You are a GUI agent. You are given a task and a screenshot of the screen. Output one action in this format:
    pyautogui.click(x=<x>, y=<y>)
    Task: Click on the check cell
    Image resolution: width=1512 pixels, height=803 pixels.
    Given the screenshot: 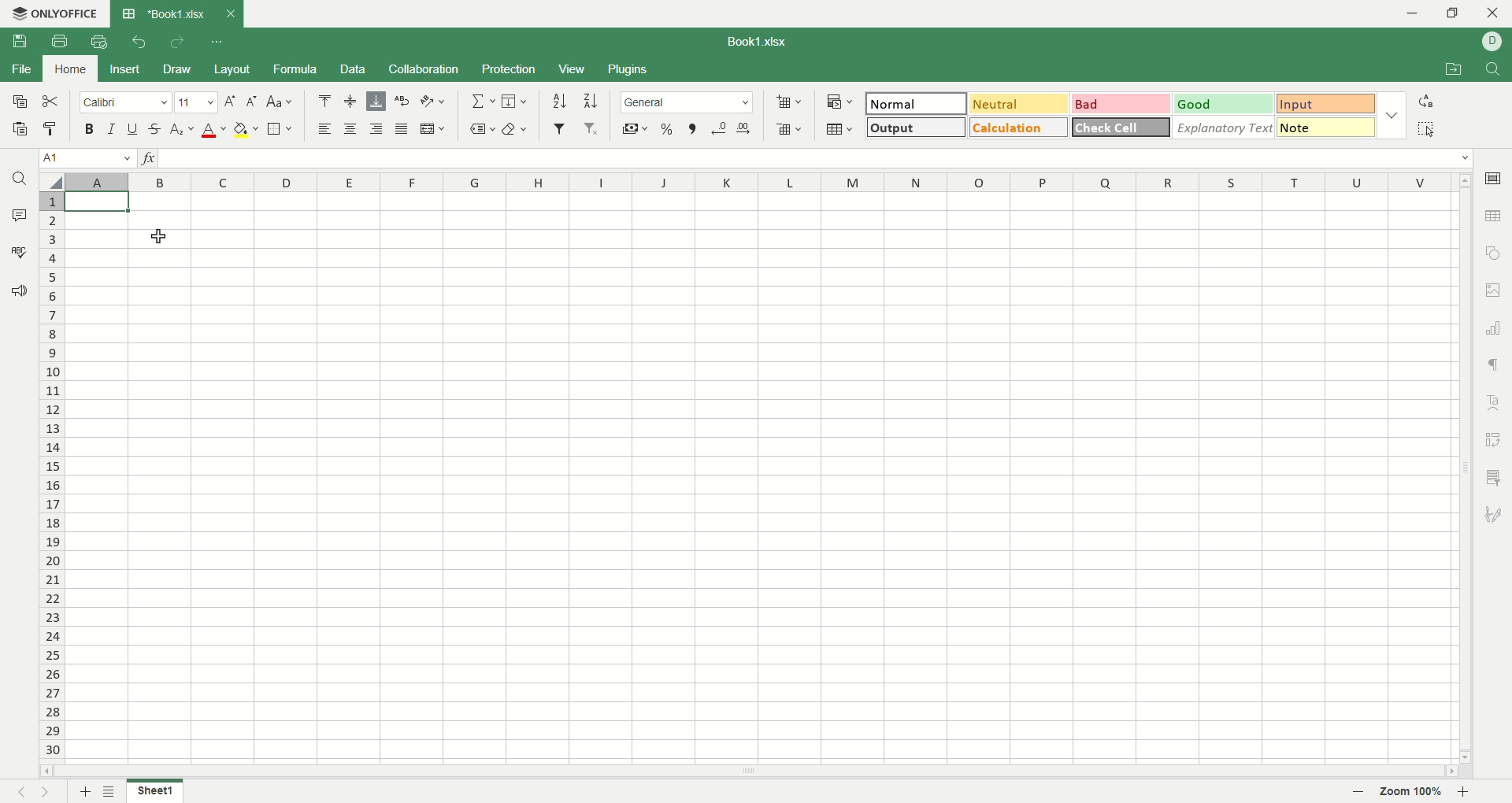 What is the action you would take?
    pyautogui.click(x=1121, y=128)
    